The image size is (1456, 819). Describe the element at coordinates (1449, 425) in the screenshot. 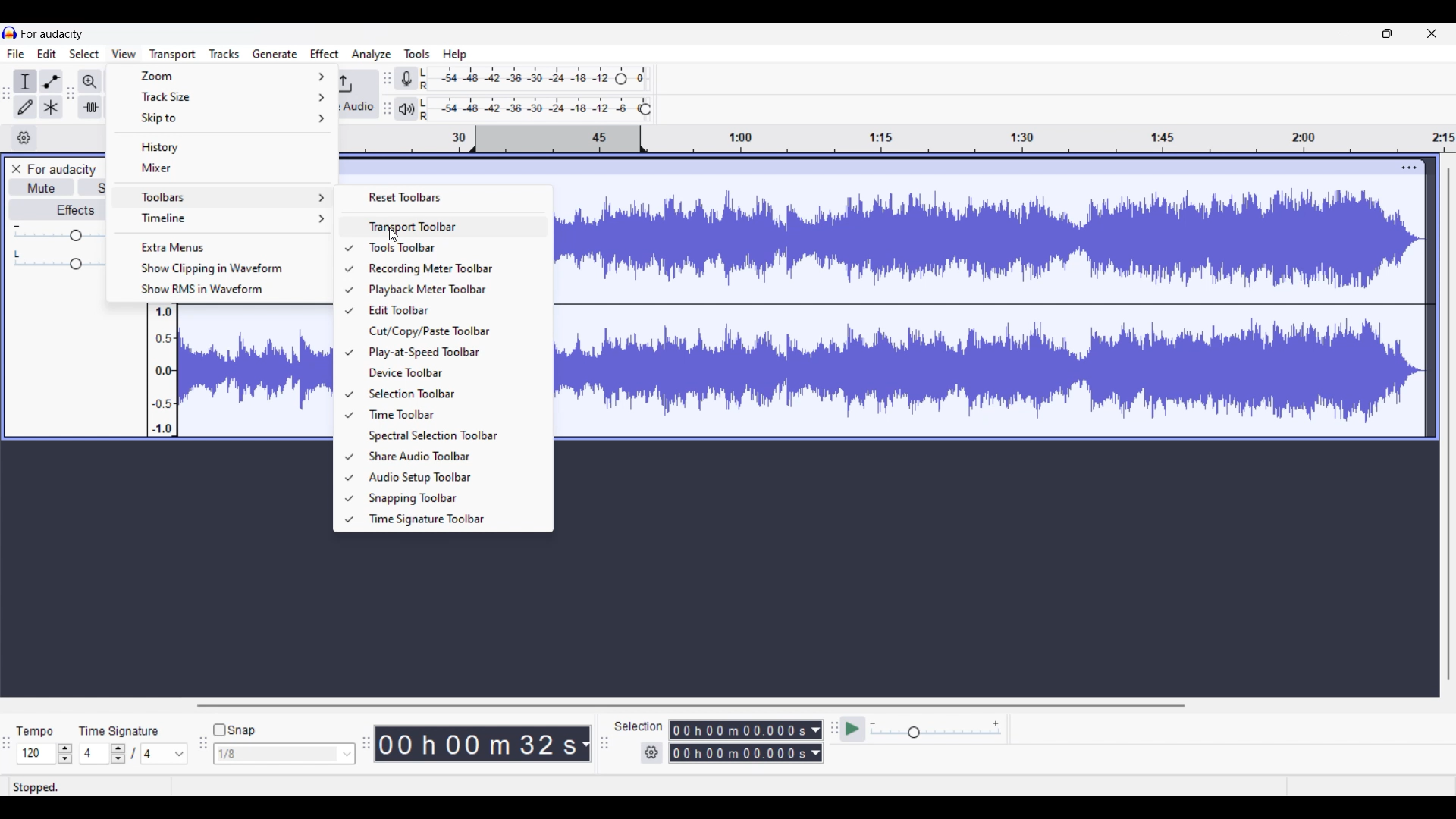

I see `Vertical slide bar` at that location.